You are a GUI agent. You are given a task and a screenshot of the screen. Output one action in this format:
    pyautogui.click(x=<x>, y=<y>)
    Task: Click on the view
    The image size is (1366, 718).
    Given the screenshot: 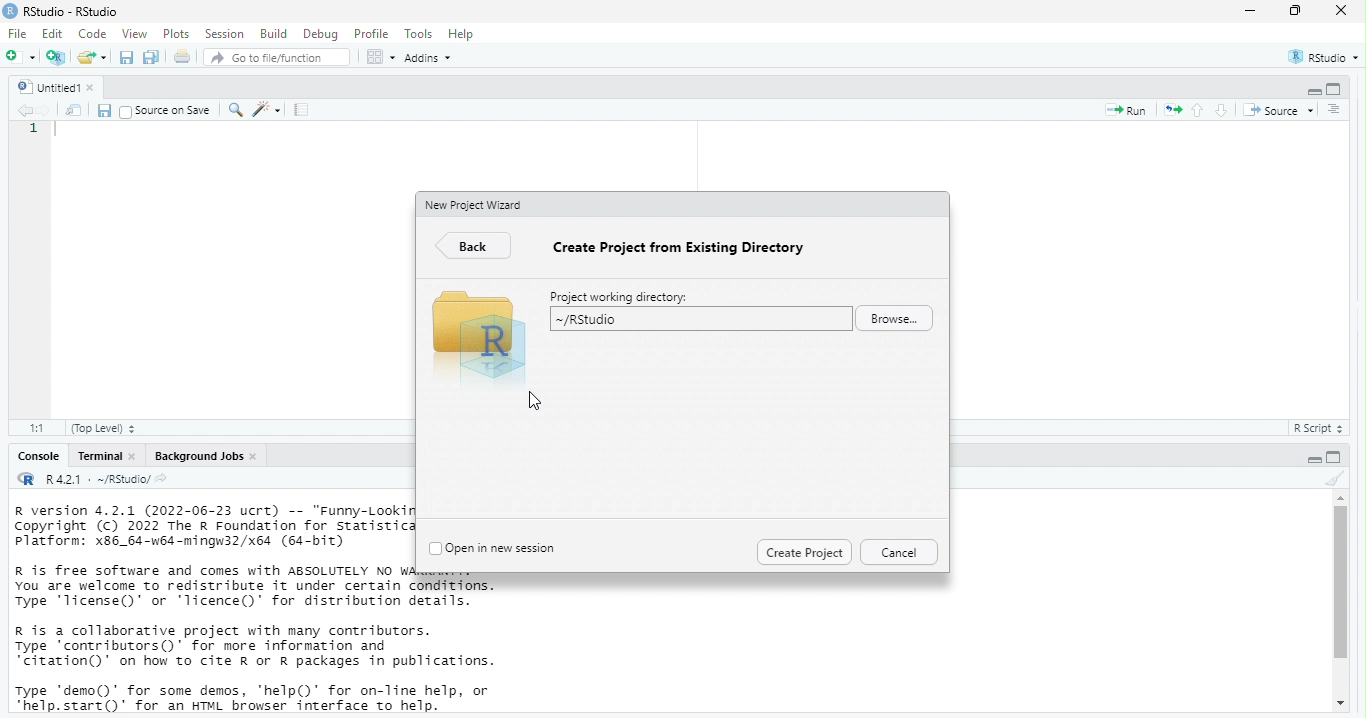 What is the action you would take?
    pyautogui.click(x=133, y=34)
    